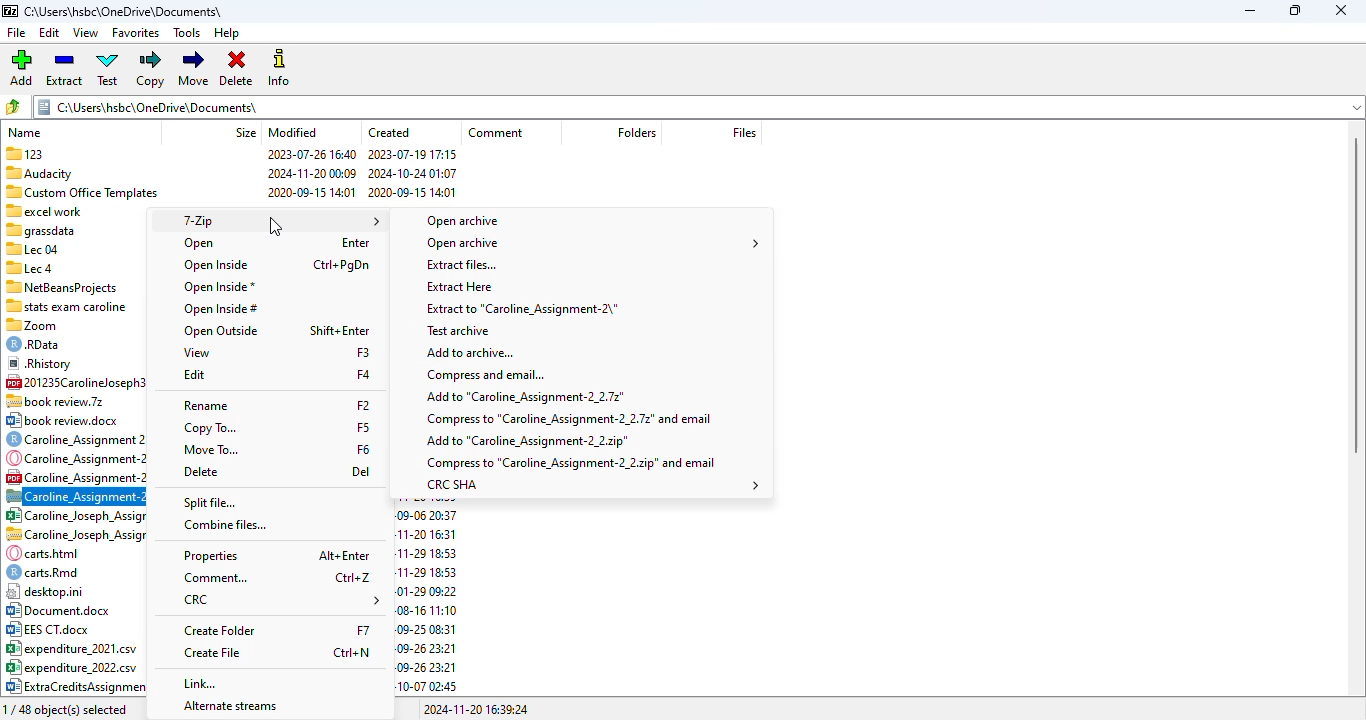 The image size is (1366, 720). I want to click on comment, so click(495, 132).